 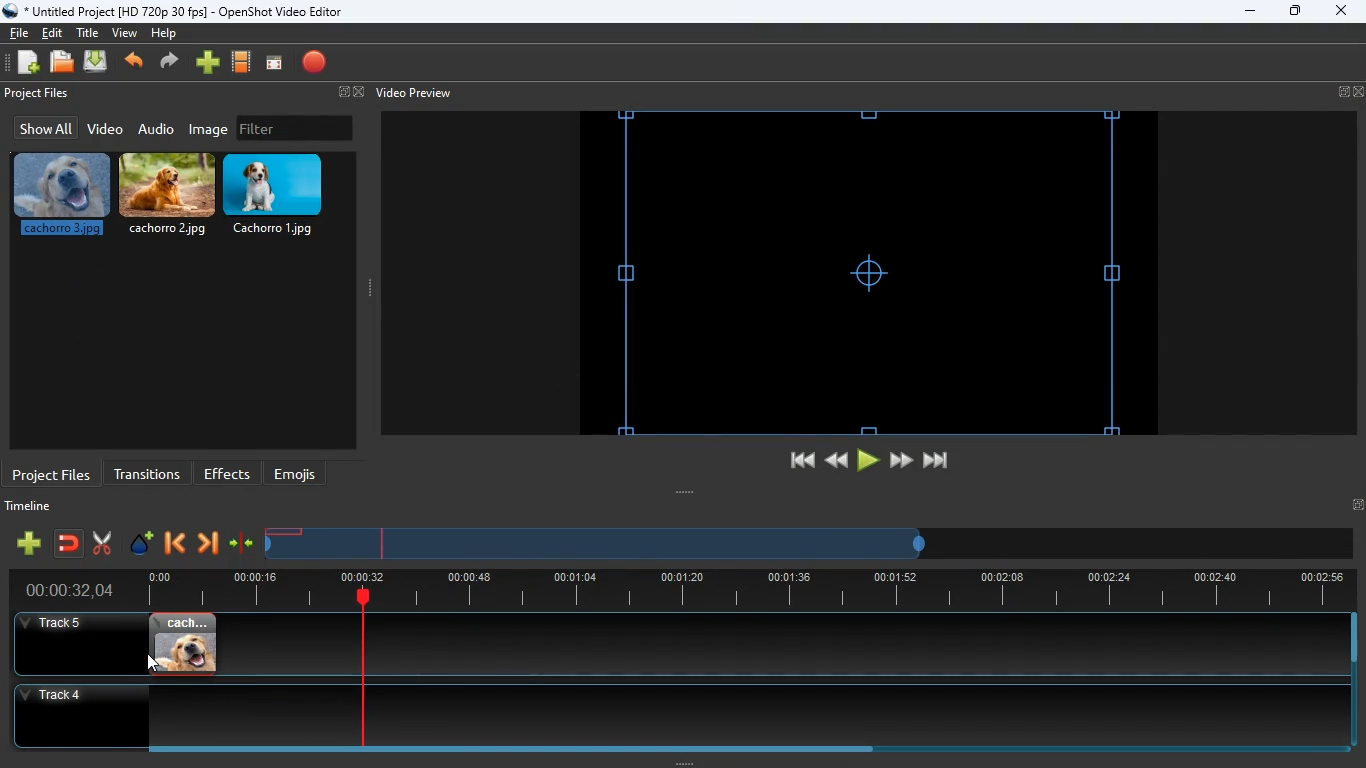 What do you see at coordinates (163, 36) in the screenshot?
I see `help` at bounding box center [163, 36].